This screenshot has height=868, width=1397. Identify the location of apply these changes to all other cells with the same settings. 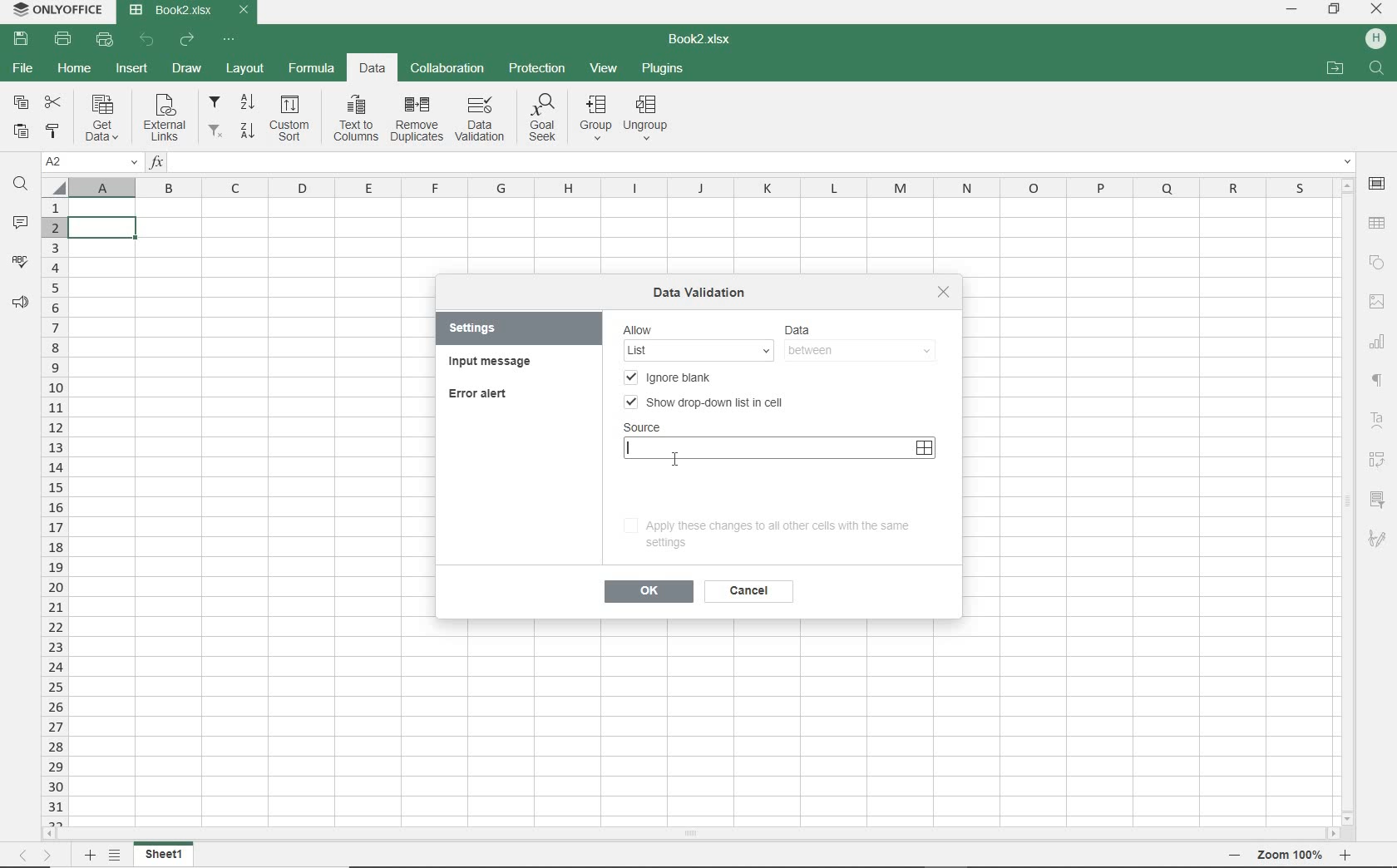
(766, 532).